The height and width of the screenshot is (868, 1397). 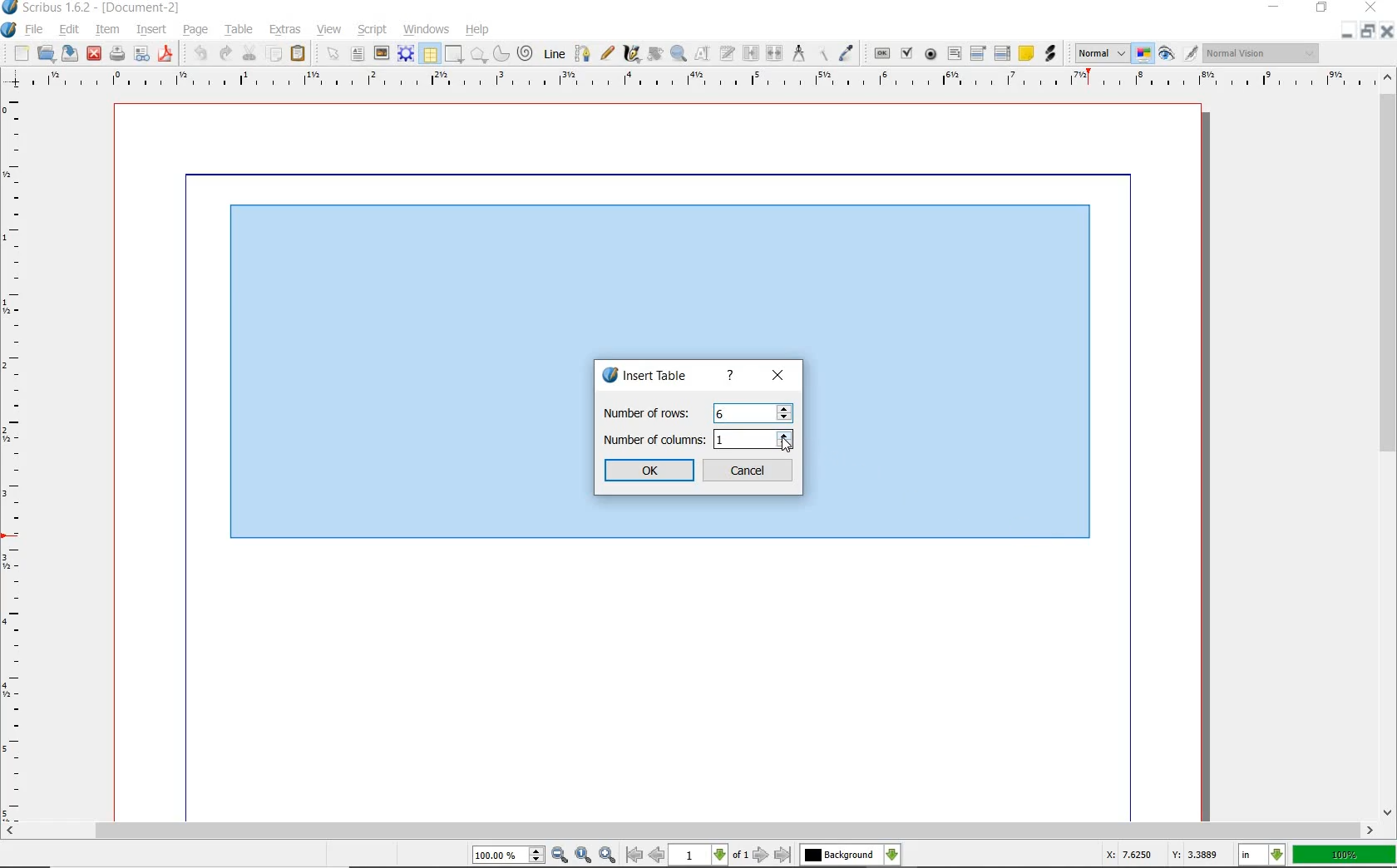 I want to click on zoom to, so click(x=585, y=856).